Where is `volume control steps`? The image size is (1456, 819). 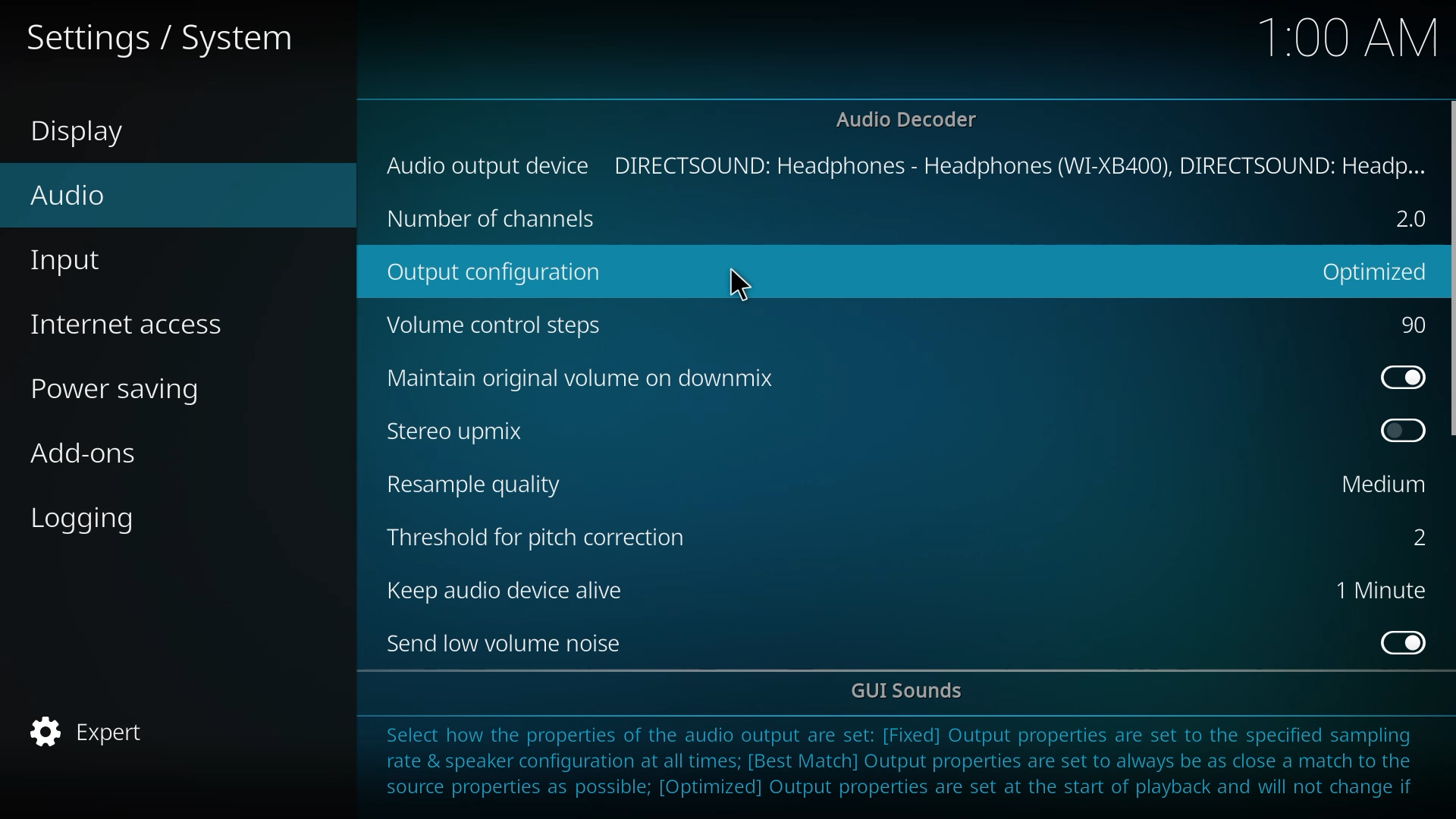 volume control steps is located at coordinates (500, 327).